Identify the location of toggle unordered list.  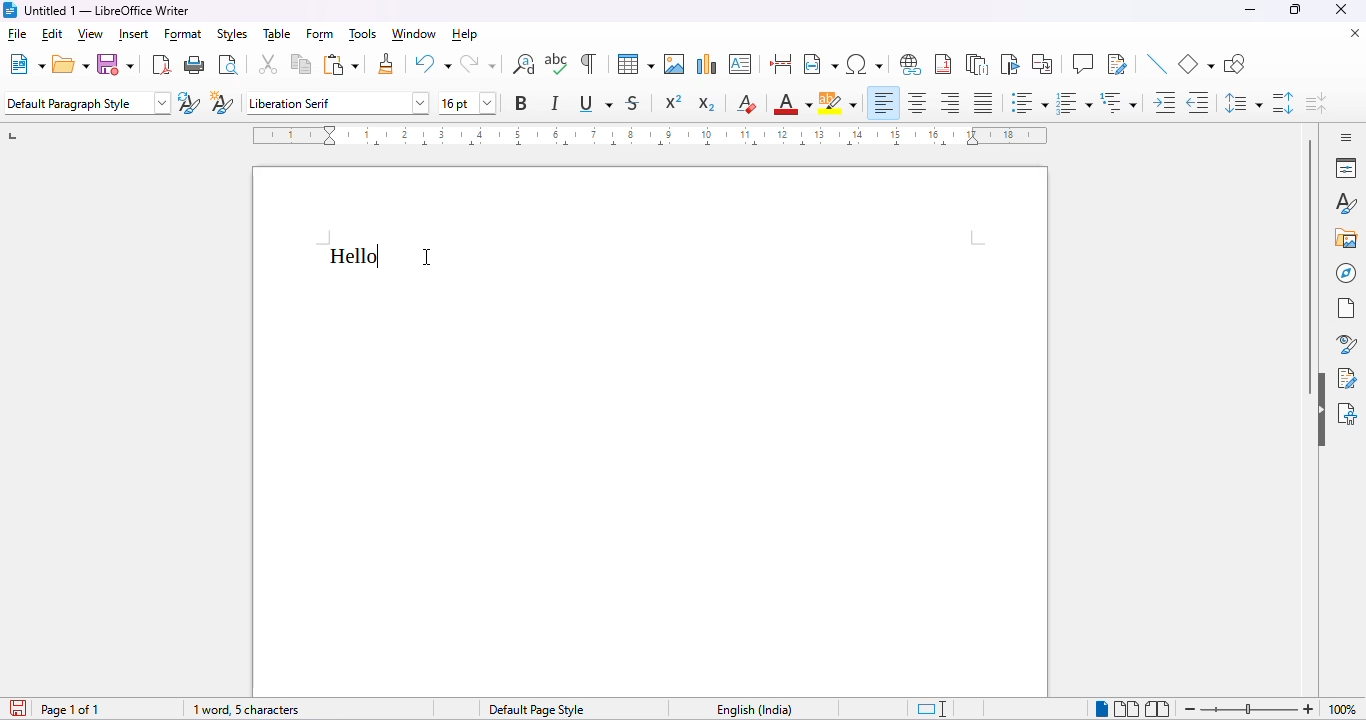
(1028, 102).